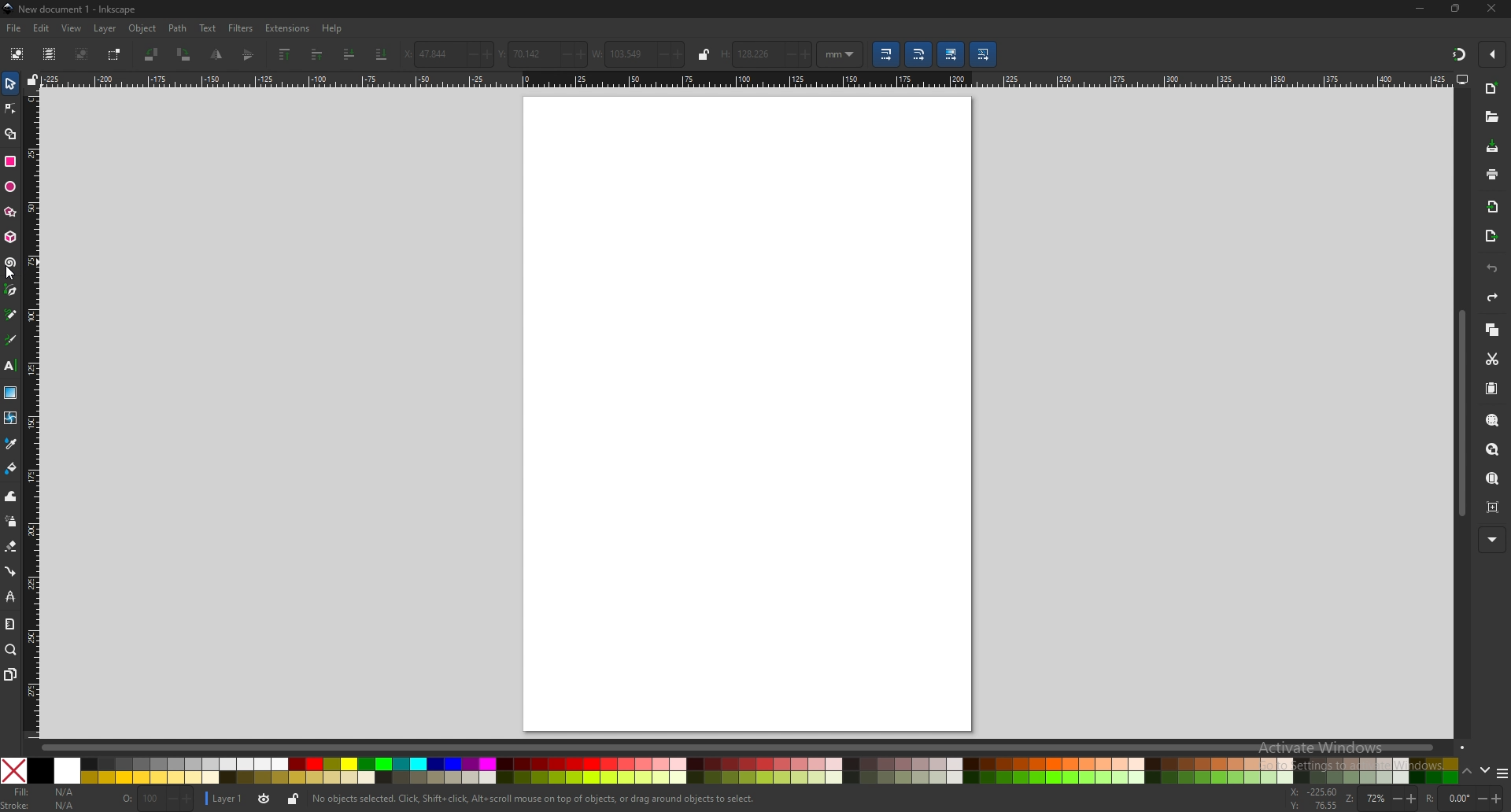 Image resolution: width=1511 pixels, height=812 pixels. What do you see at coordinates (10, 364) in the screenshot?
I see `text` at bounding box center [10, 364].